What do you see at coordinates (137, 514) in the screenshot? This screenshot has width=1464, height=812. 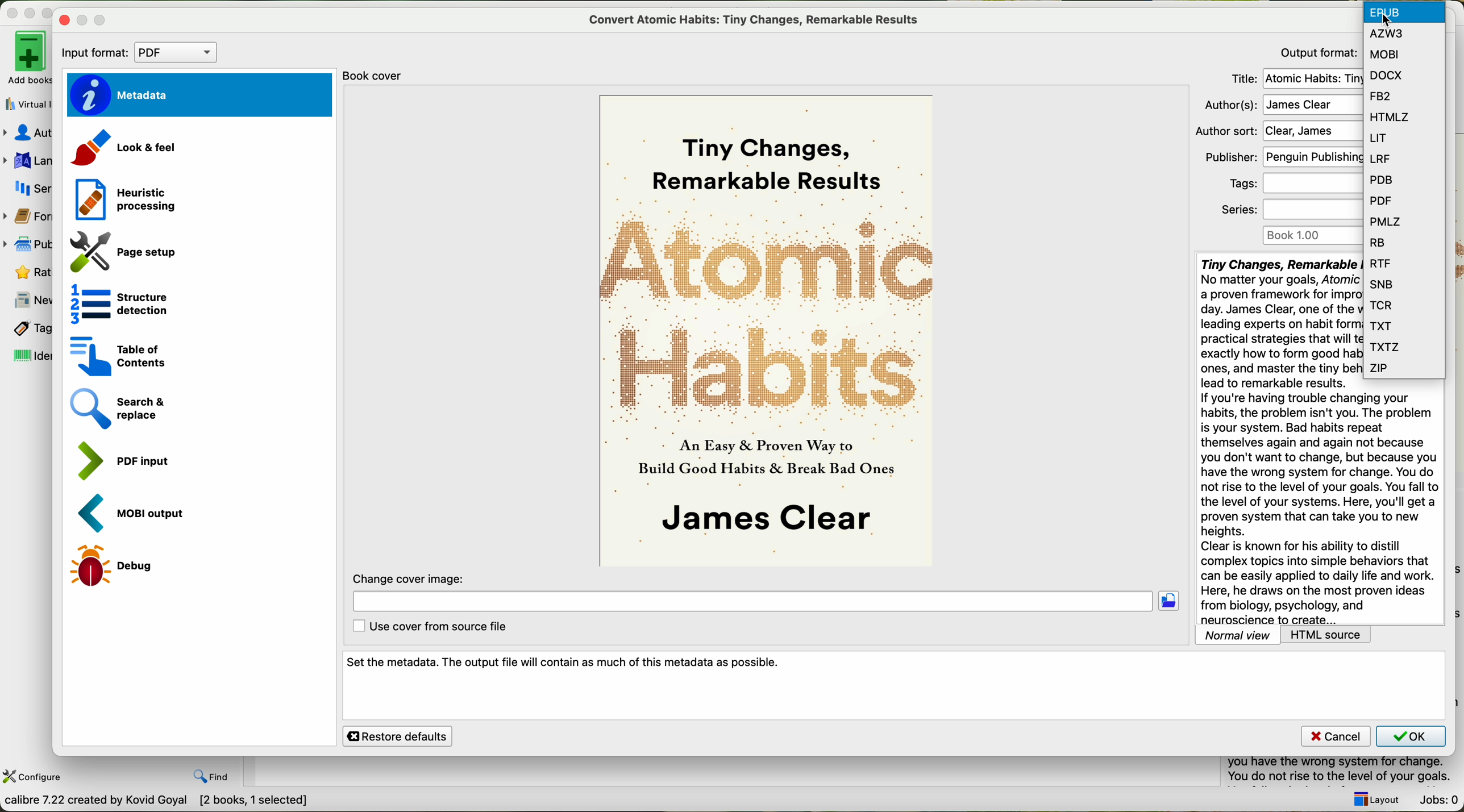 I see `MOBI output` at bounding box center [137, 514].